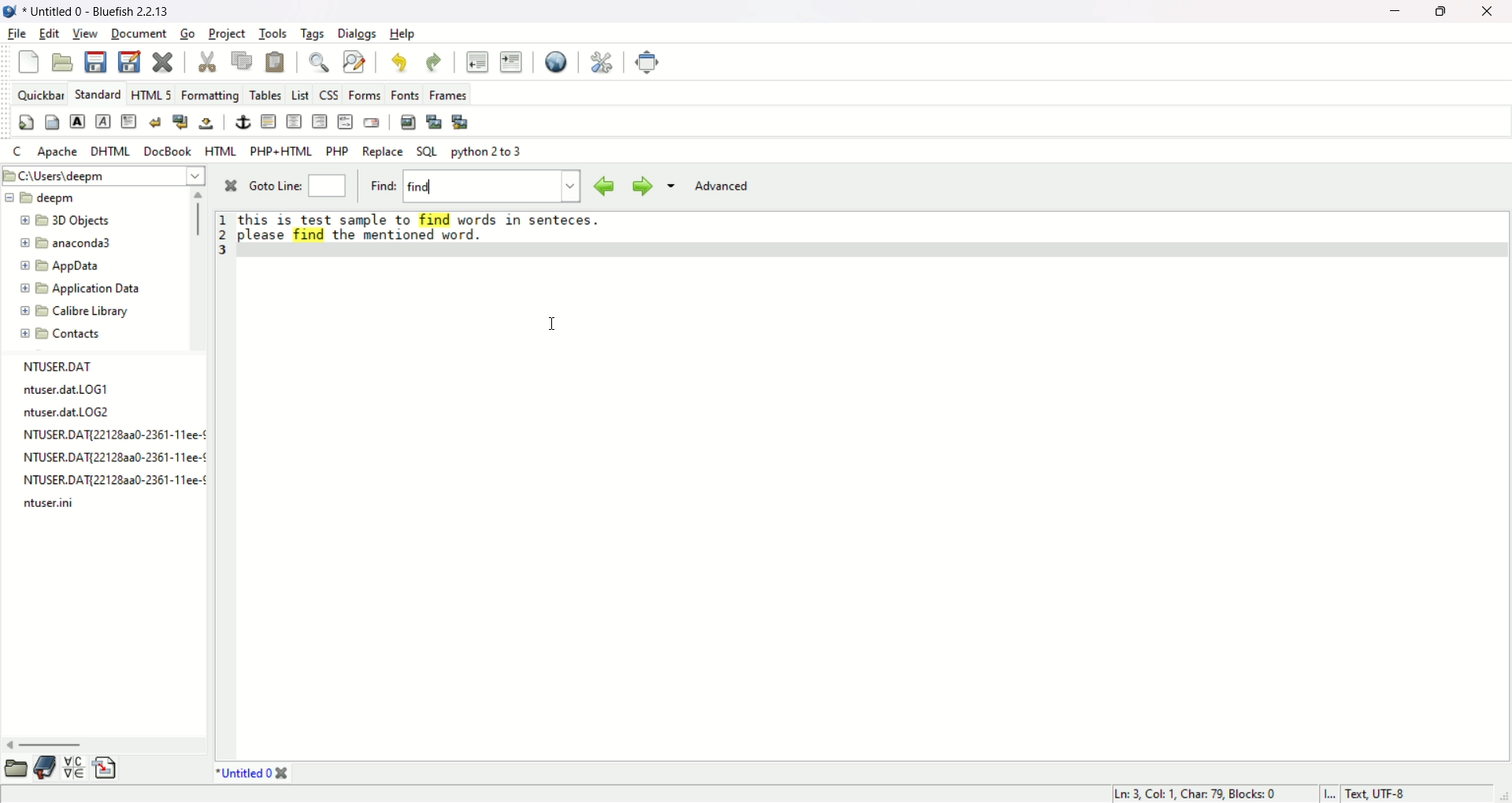 The width and height of the screenshot is (1512, 803). What do you see at coordinates (408, 121) in the screenshot?
I see `insert image` at bounding box center [408, 121].